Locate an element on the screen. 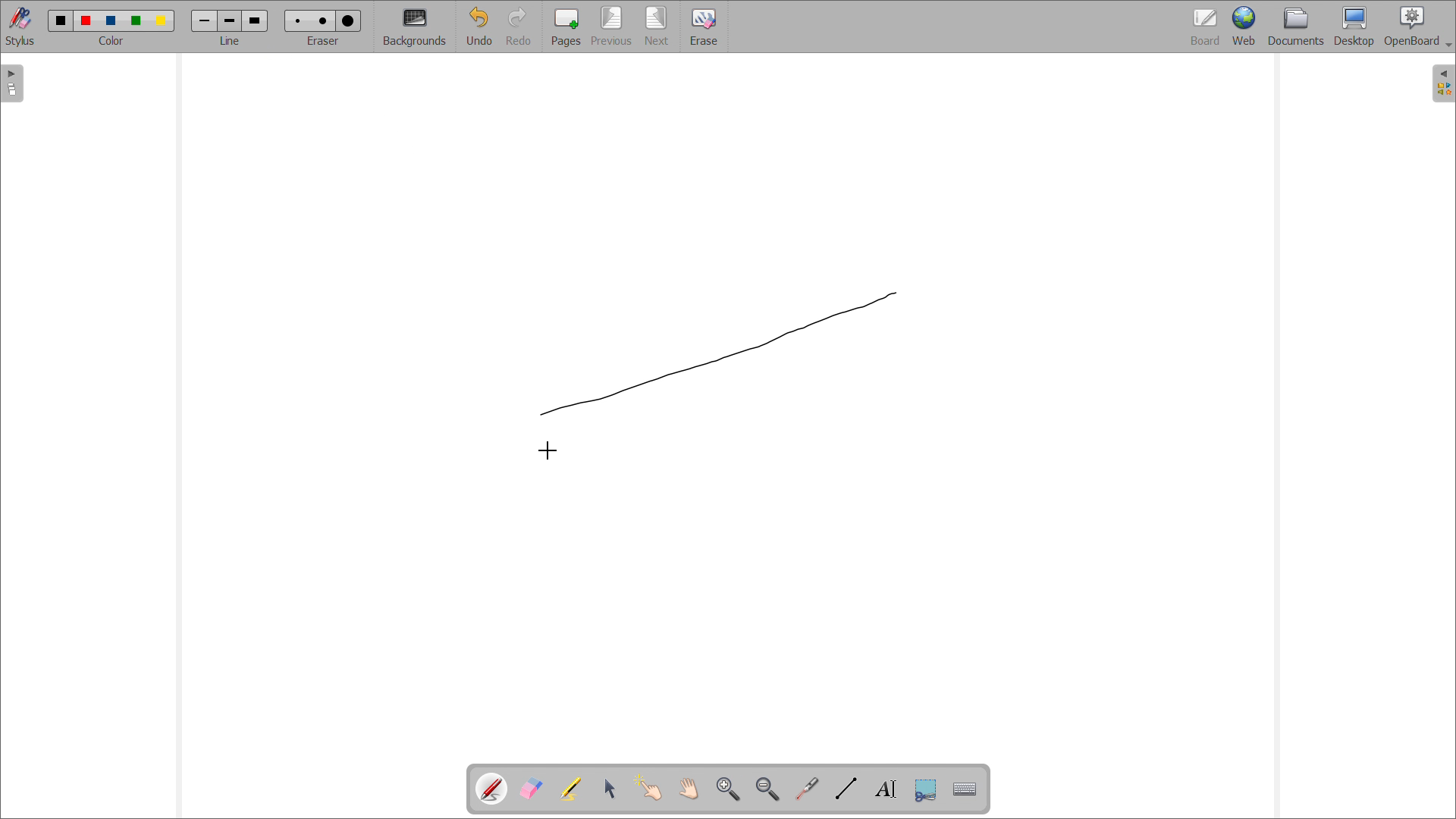 Image resolution: width=1456 pixels, height=819 pixels. desktop is located at coordinates (1354, 27).